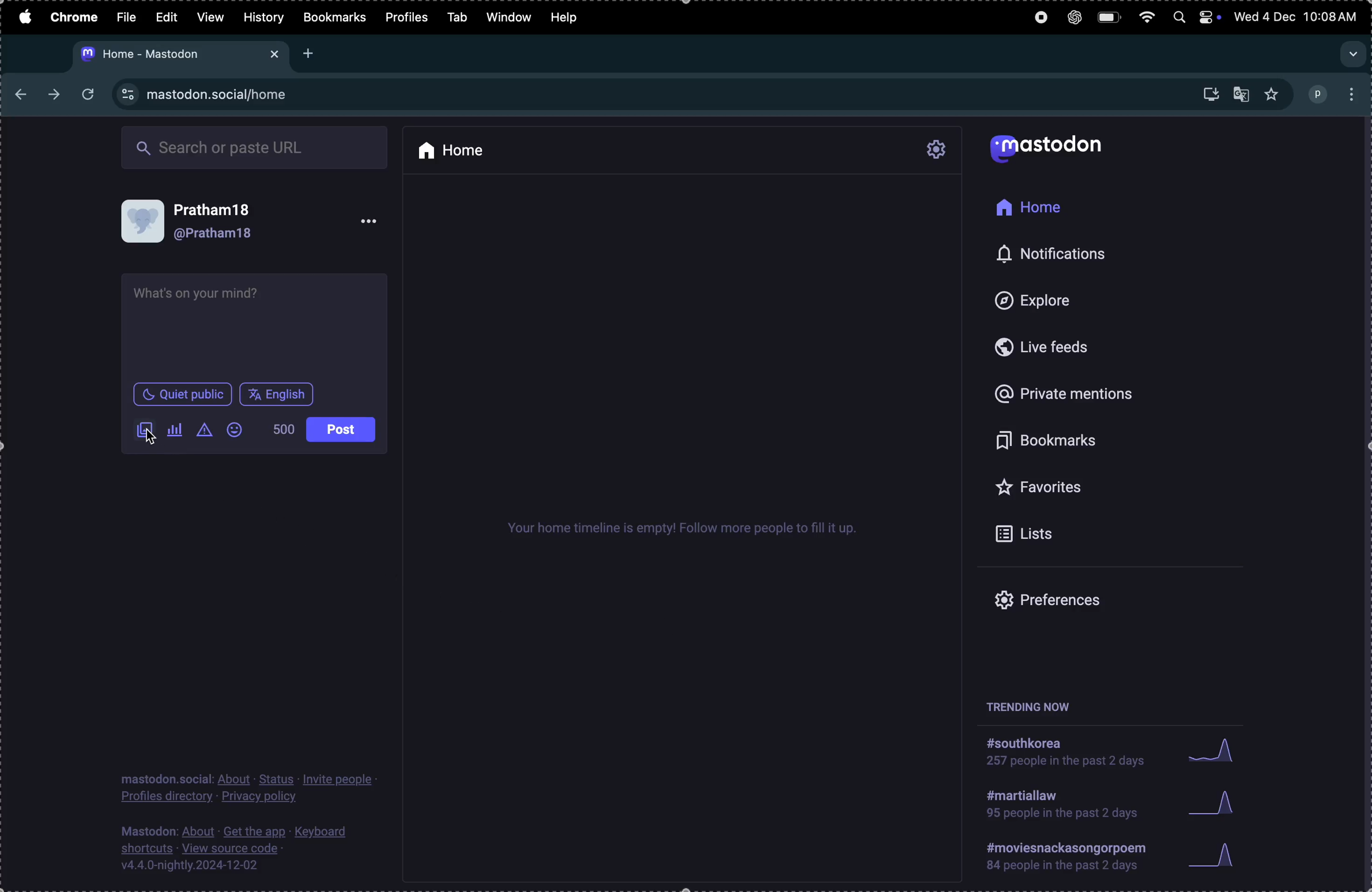 This screenshot has height=892, width=1372. What do you see at coordinates (258, 149) in the screenshot?
I see `Search box url` at bounding box center [258, 149].